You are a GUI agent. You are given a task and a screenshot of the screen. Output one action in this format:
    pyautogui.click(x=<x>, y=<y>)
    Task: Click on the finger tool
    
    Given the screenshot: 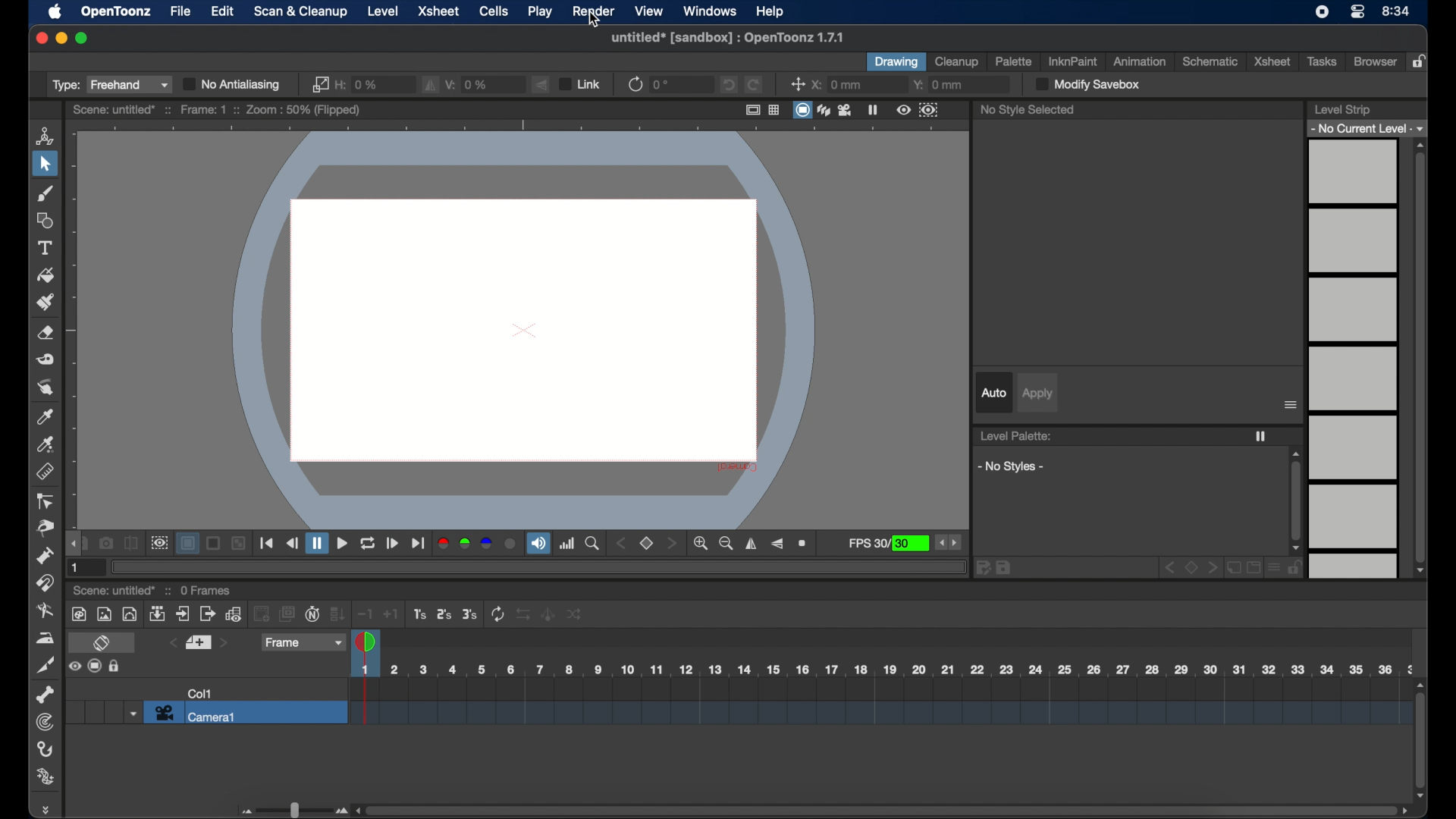 What is the action you would take?
    pyautogui.click(x=45, y=388)
    